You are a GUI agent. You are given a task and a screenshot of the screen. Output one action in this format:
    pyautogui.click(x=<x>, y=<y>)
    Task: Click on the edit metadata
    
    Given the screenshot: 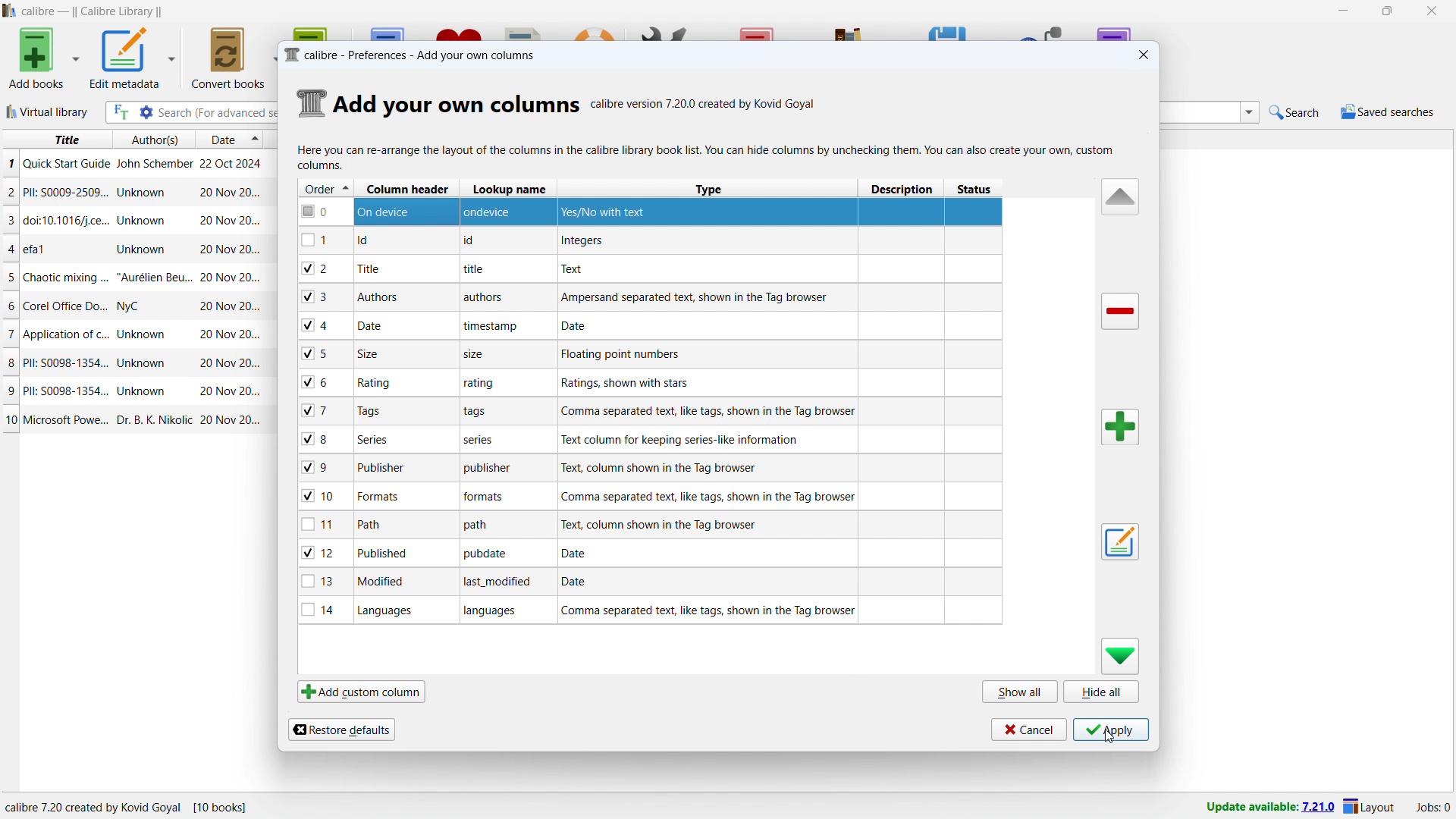 What is the action you would take?
    pyautogui.click(x=125, y=58)
    